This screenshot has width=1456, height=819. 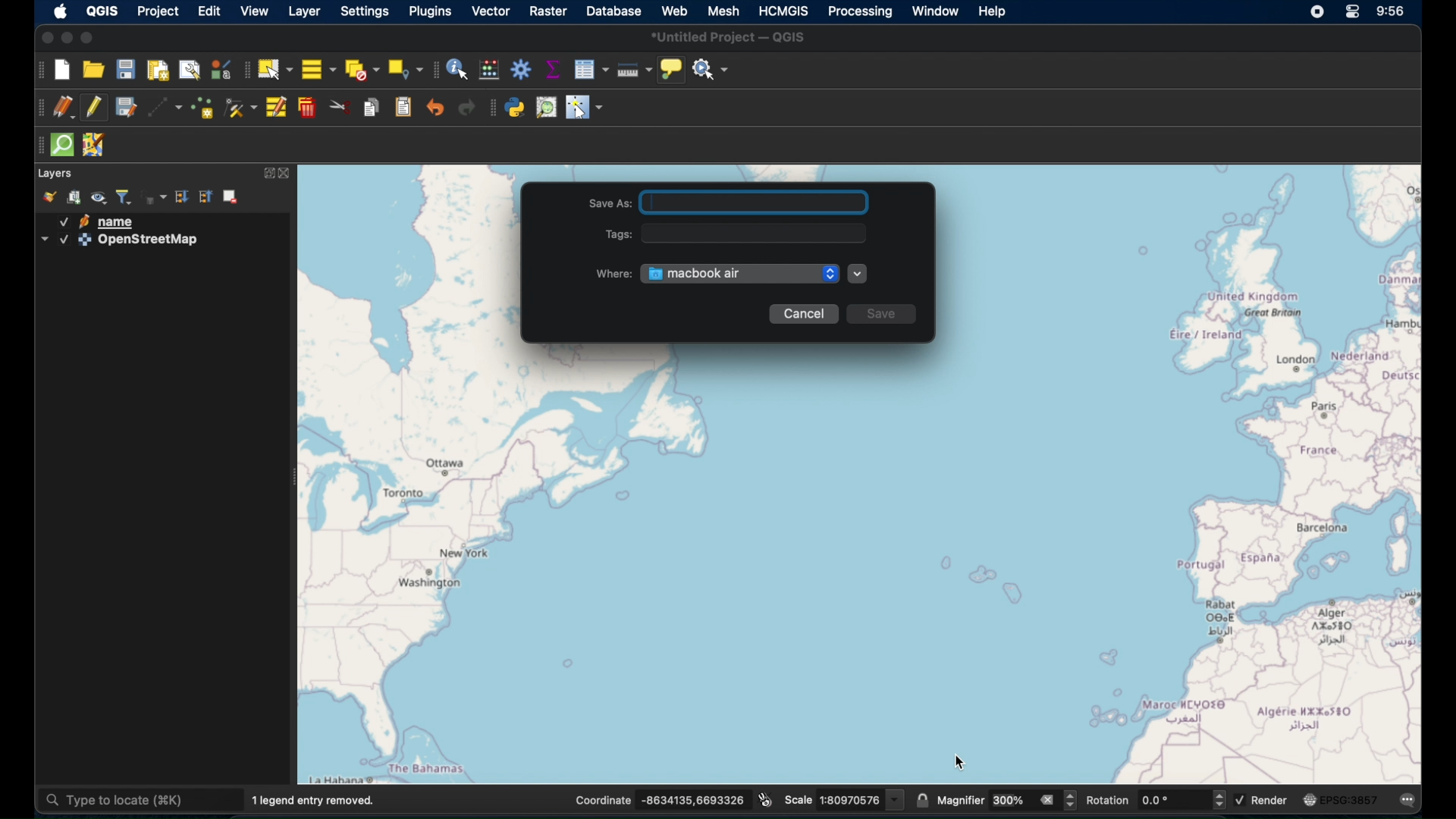 I want to click on Cancel, so click(x=804, y=315).